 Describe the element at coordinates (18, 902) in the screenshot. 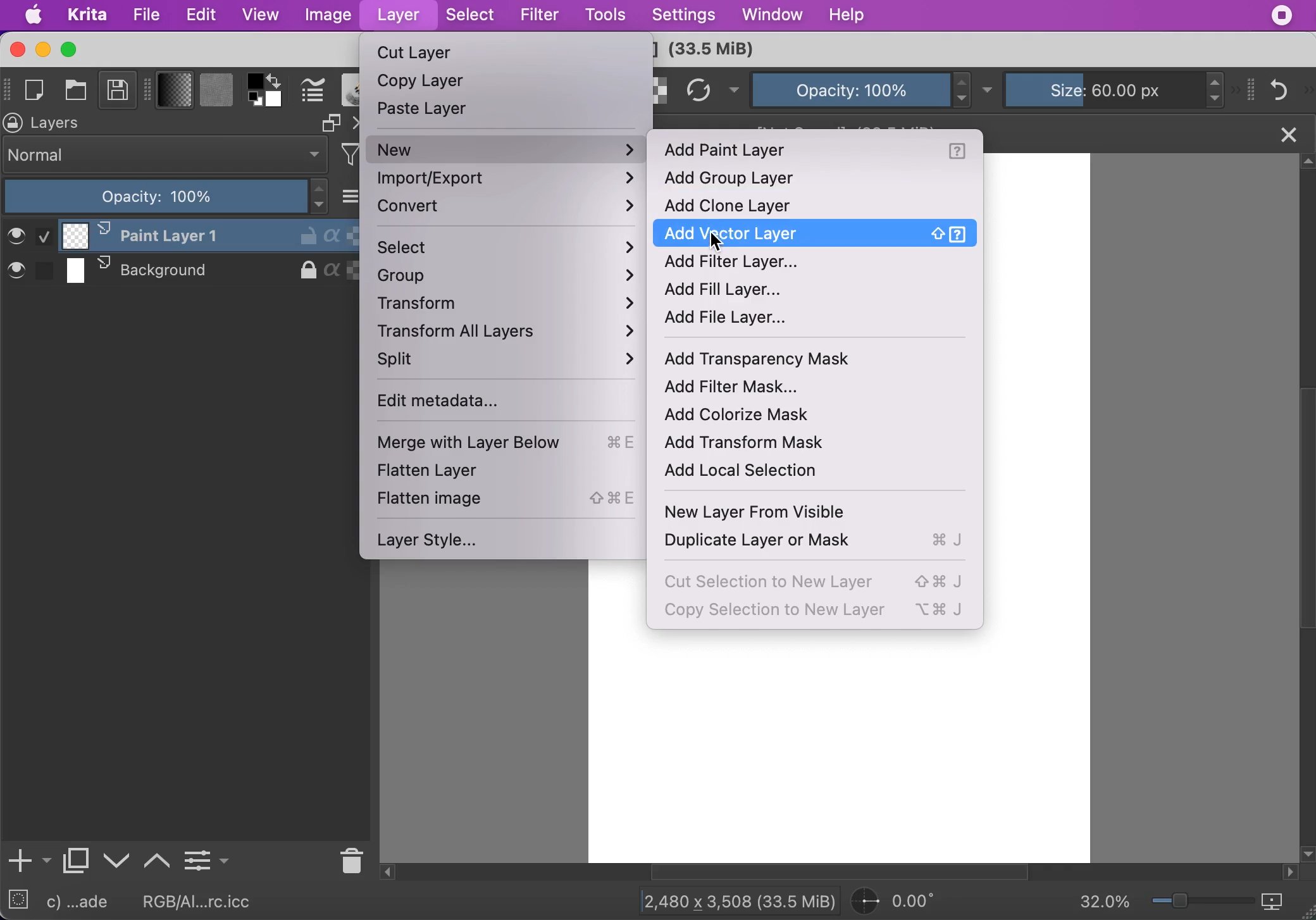

I see `no selection` at that location.